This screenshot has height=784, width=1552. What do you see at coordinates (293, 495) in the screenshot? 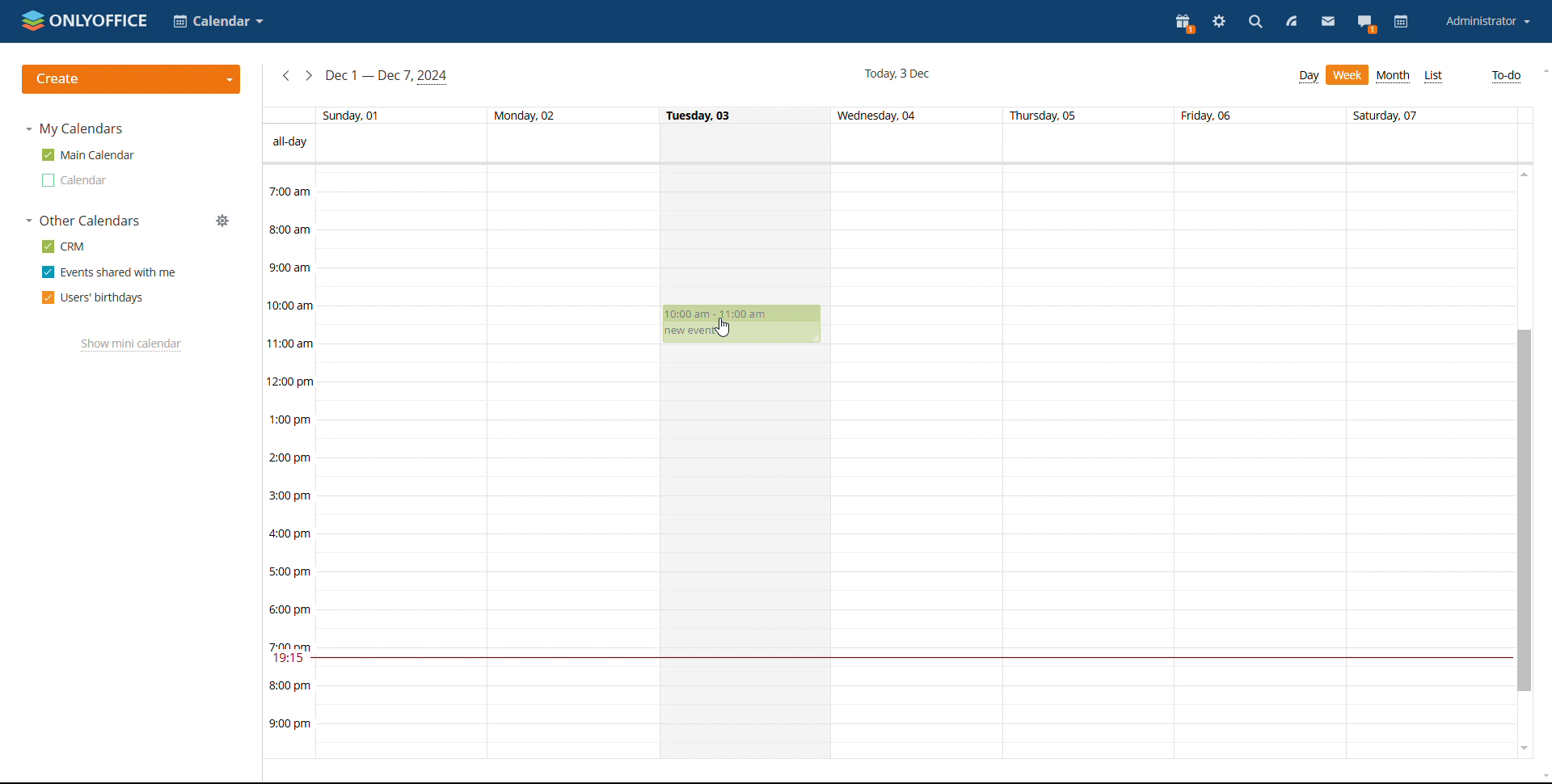
I see `3:00 pm` at bounding box center [293, 495].